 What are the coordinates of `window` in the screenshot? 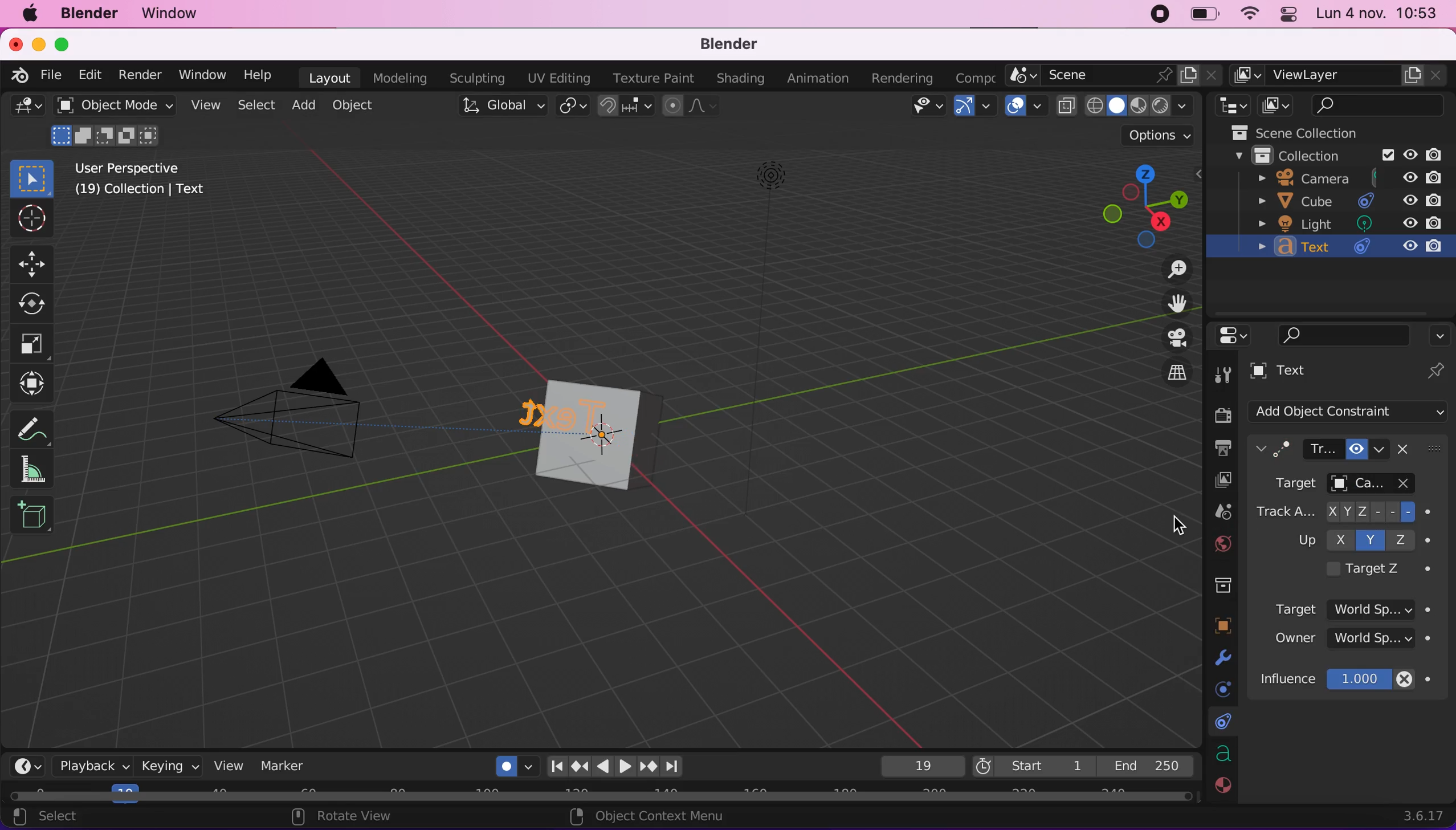 It's located at (204, 77).